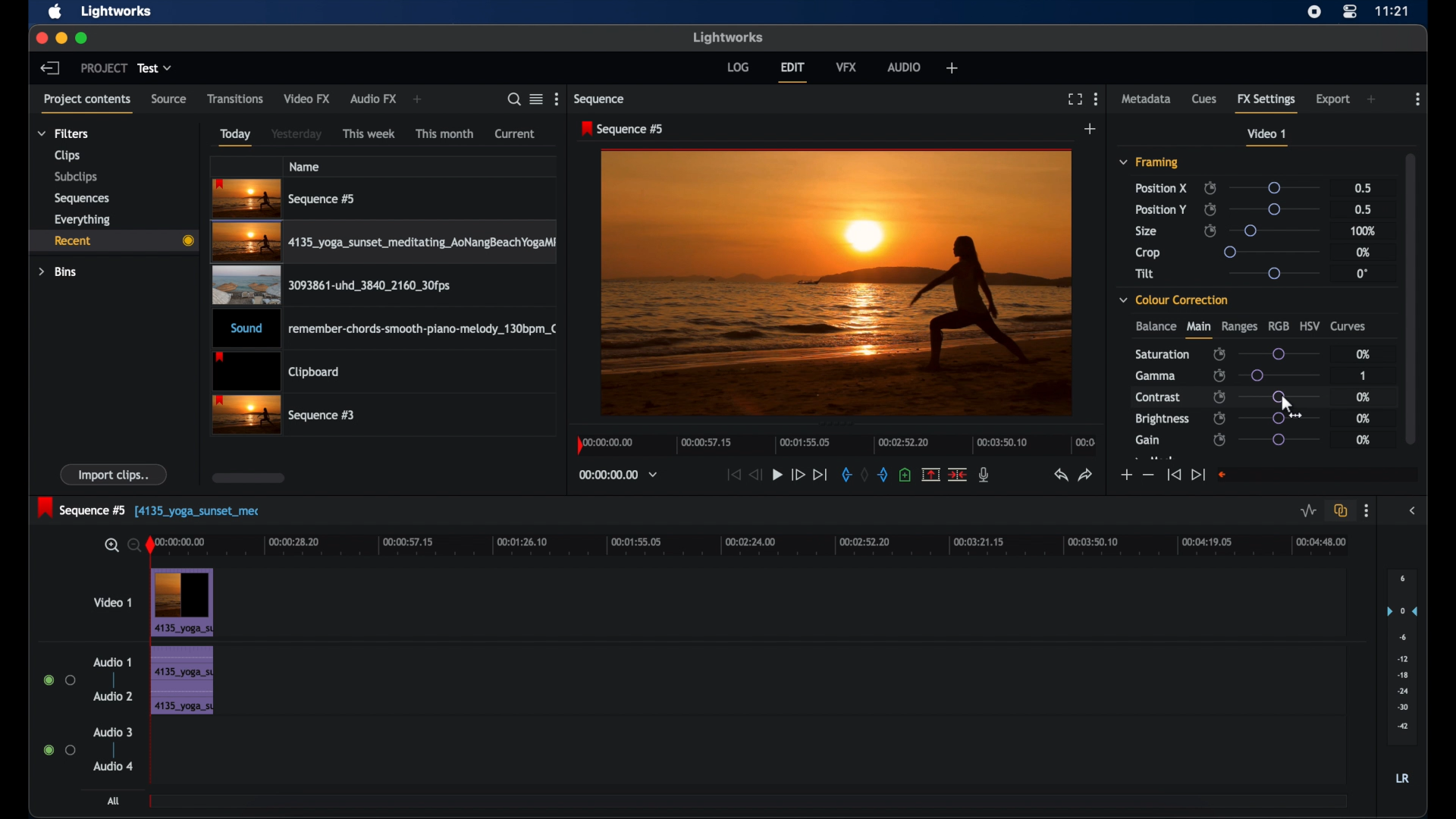 This screenshot has height=819, width=1456. What do you see at coordinates (1279, 325) in the screenshot?
I see `rgb` at bounding box center [1279, 325].